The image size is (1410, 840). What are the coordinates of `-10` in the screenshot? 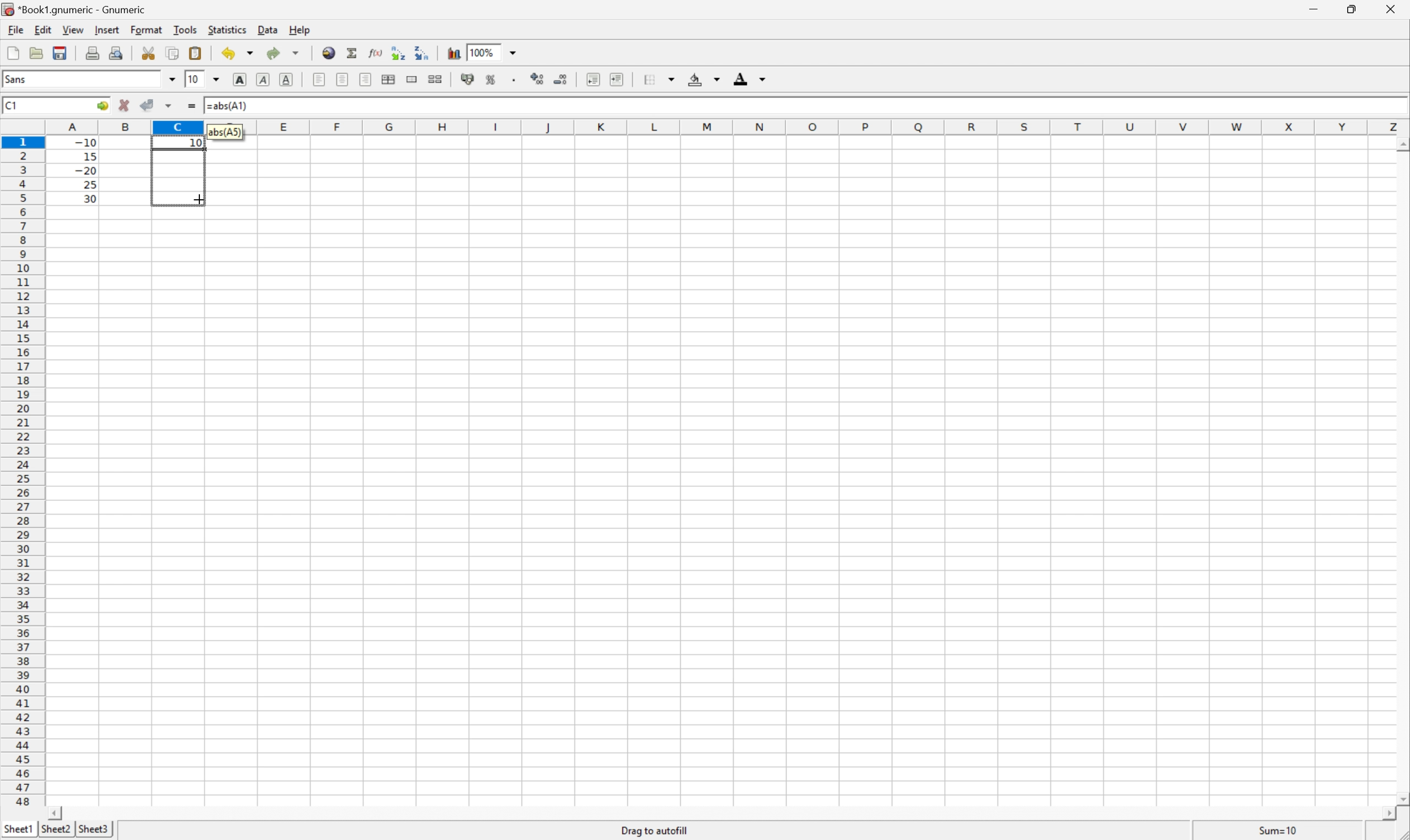 It's located at (86, 141).